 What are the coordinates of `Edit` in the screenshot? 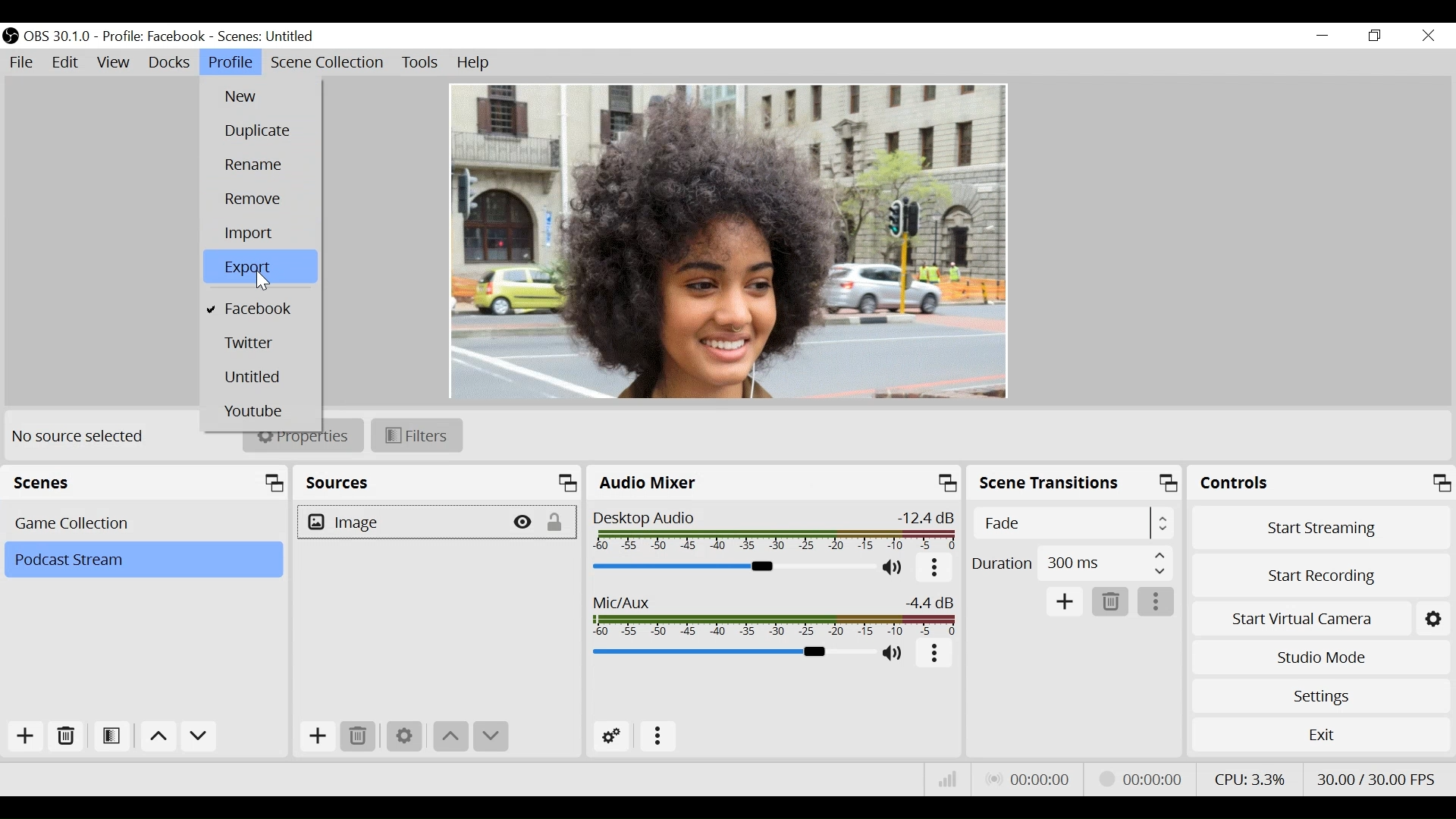 It's located at (67, 63).